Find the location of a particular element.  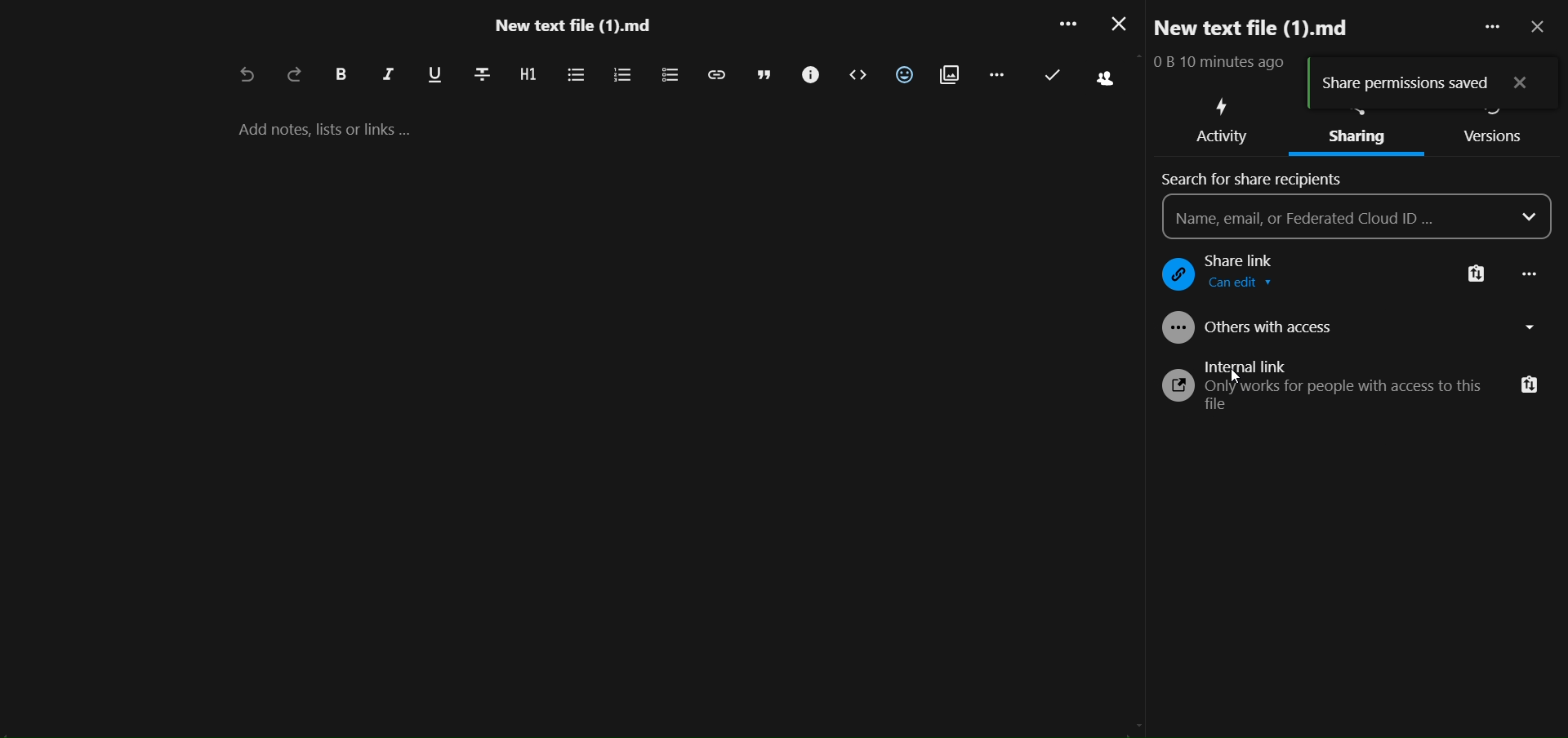

logo is located at coordinates (1173, 387).